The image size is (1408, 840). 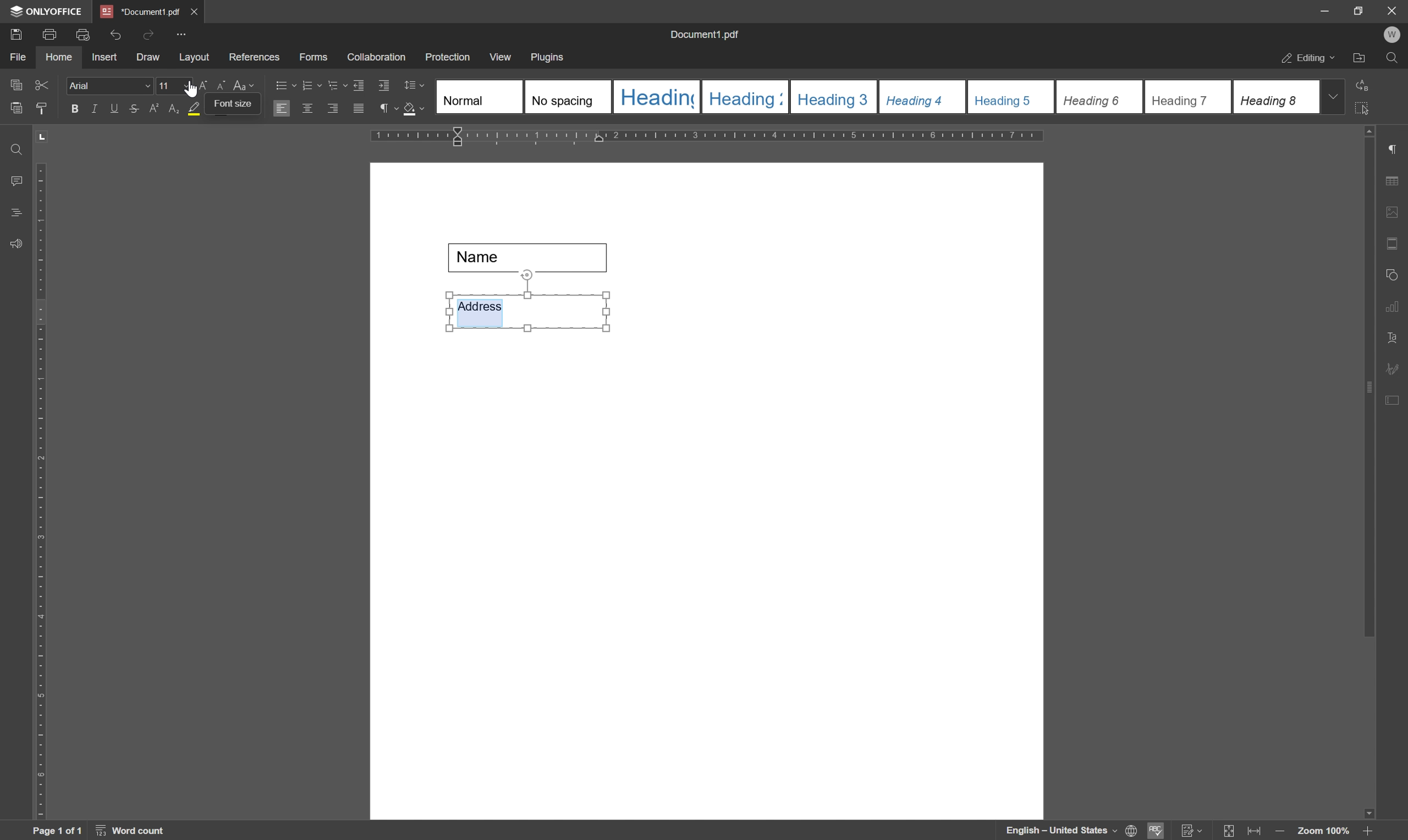 What do you see at coordinates (414, 85) in the screenshot?
I see `line spacing` at bounding box center [414, 85].